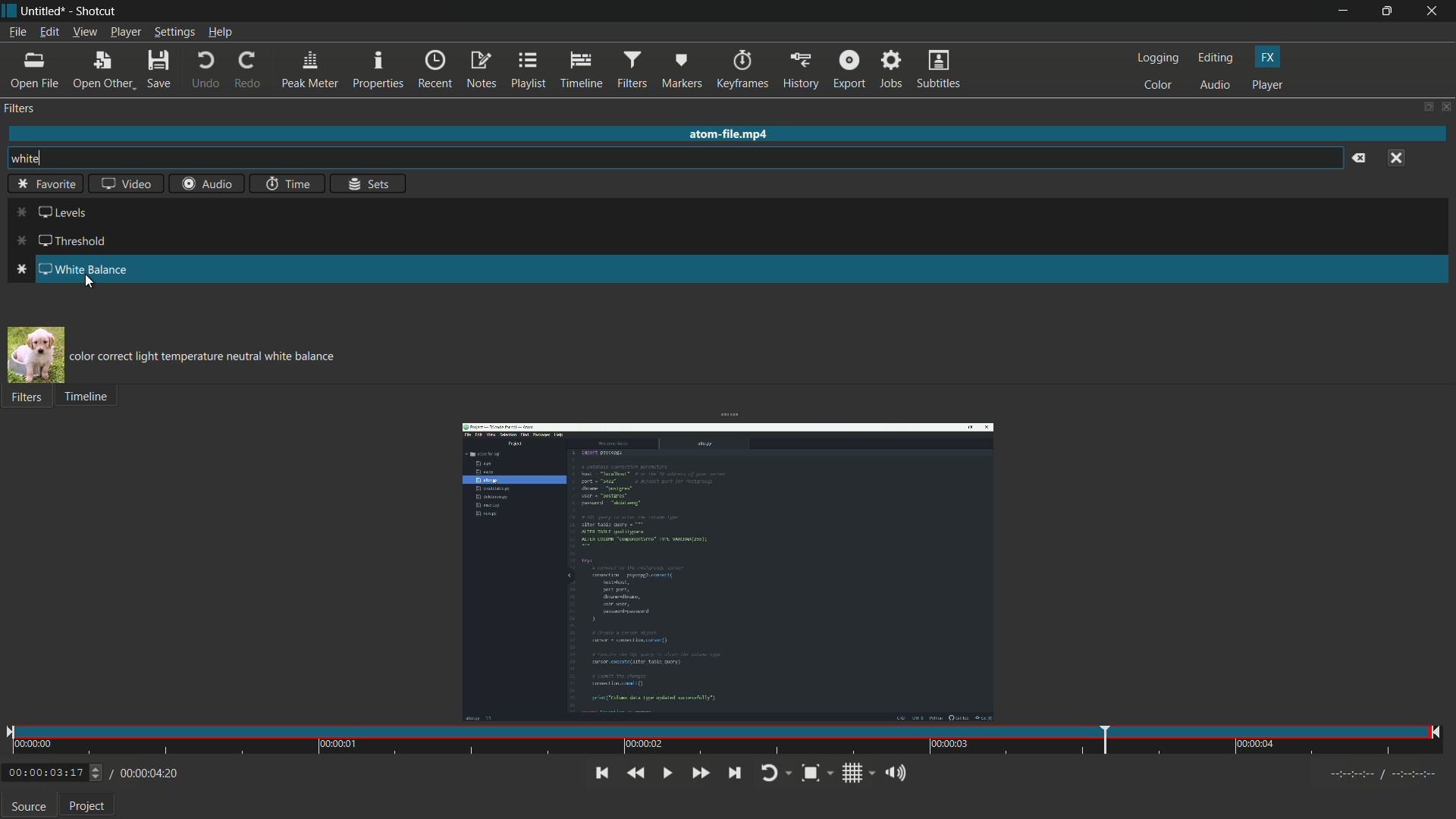 This screenshot has width=1456, height=819. Describe the element at coordinates (21, 110) in the screenshot. I see `filters` at that location.